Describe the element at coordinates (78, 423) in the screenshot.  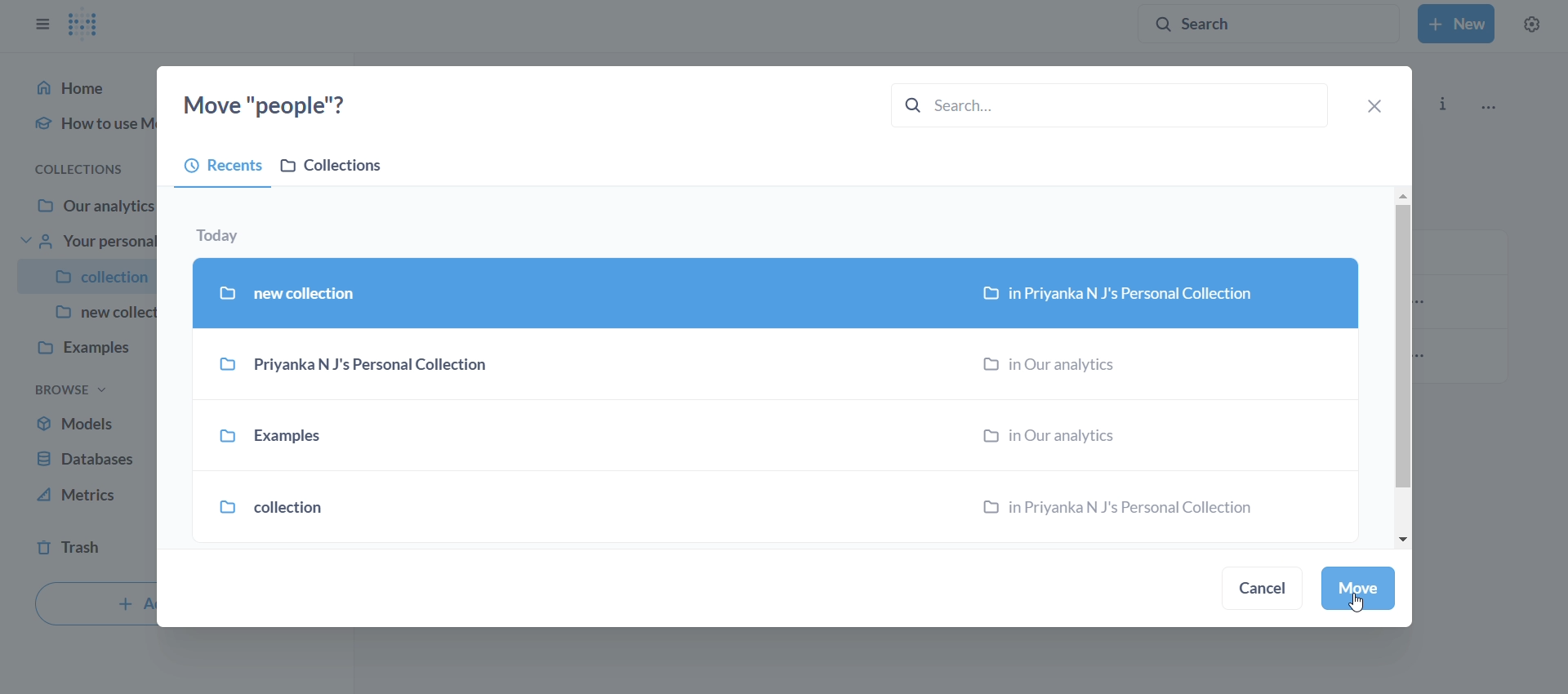
I see `models` at that location.